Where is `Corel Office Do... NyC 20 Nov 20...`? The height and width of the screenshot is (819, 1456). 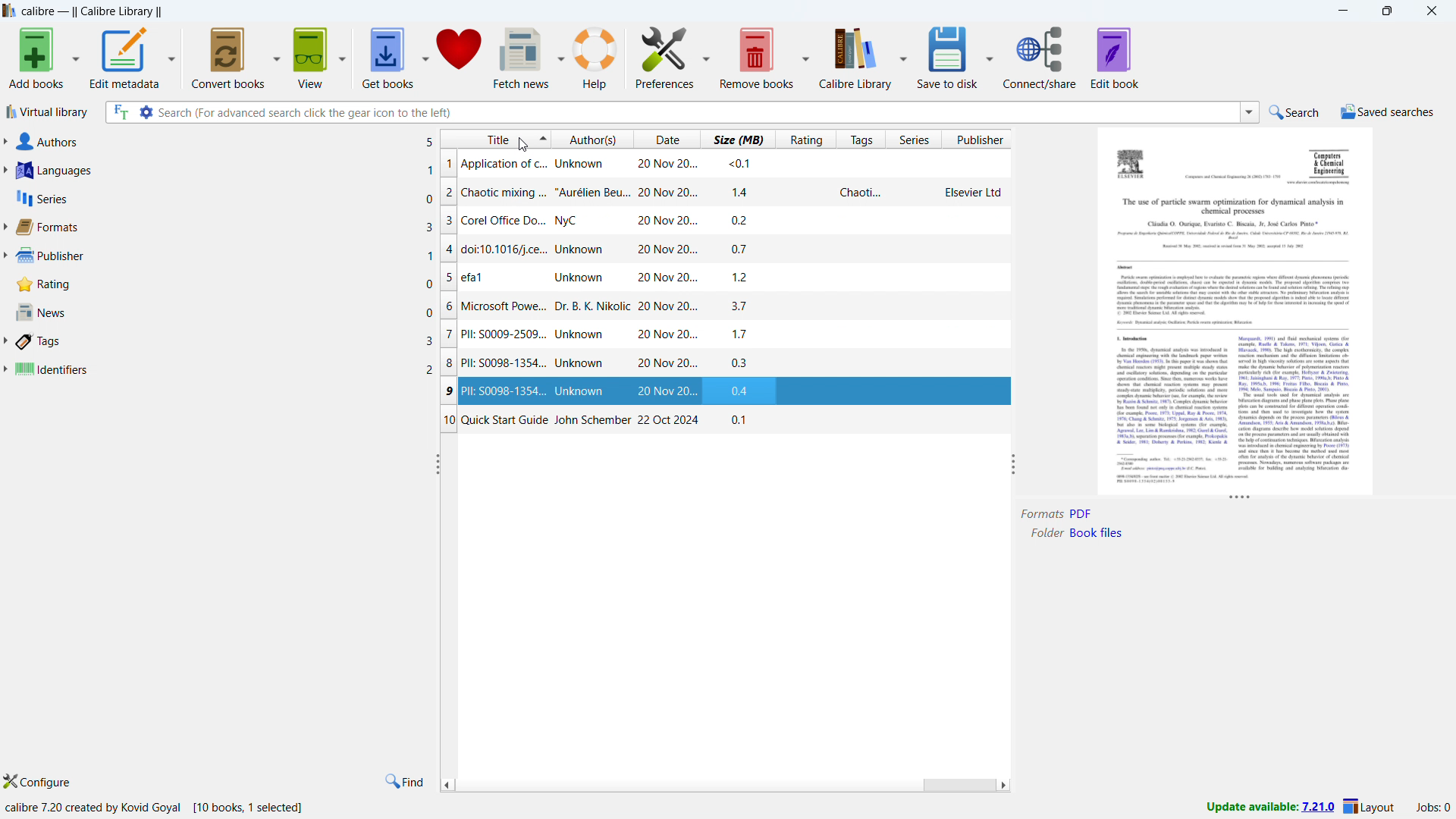
Corel Office Do... NyC 20 Nov 20... is located at coordinates (576, 221).